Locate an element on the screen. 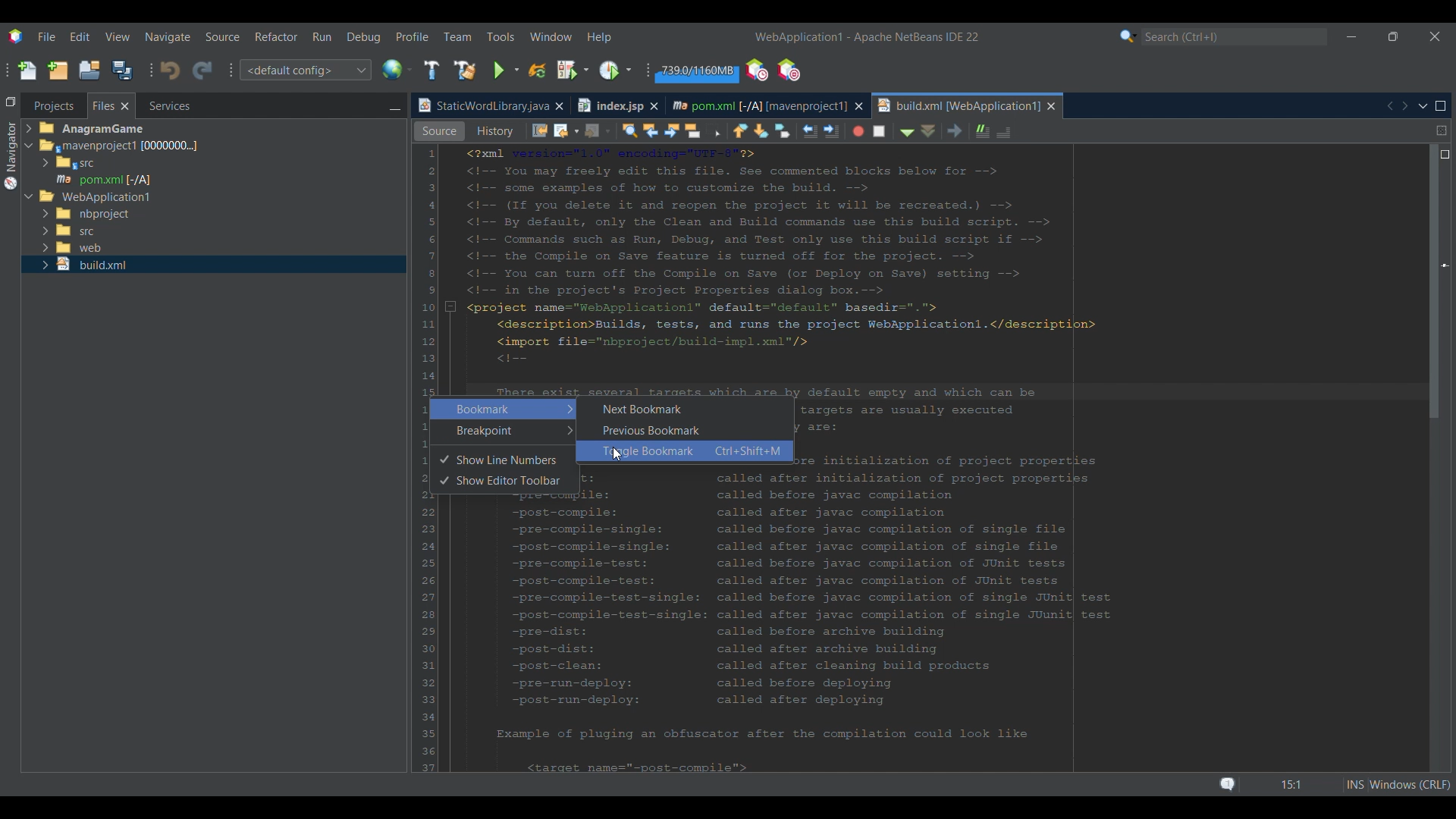  Forward options is located at coordinates (730, 130).